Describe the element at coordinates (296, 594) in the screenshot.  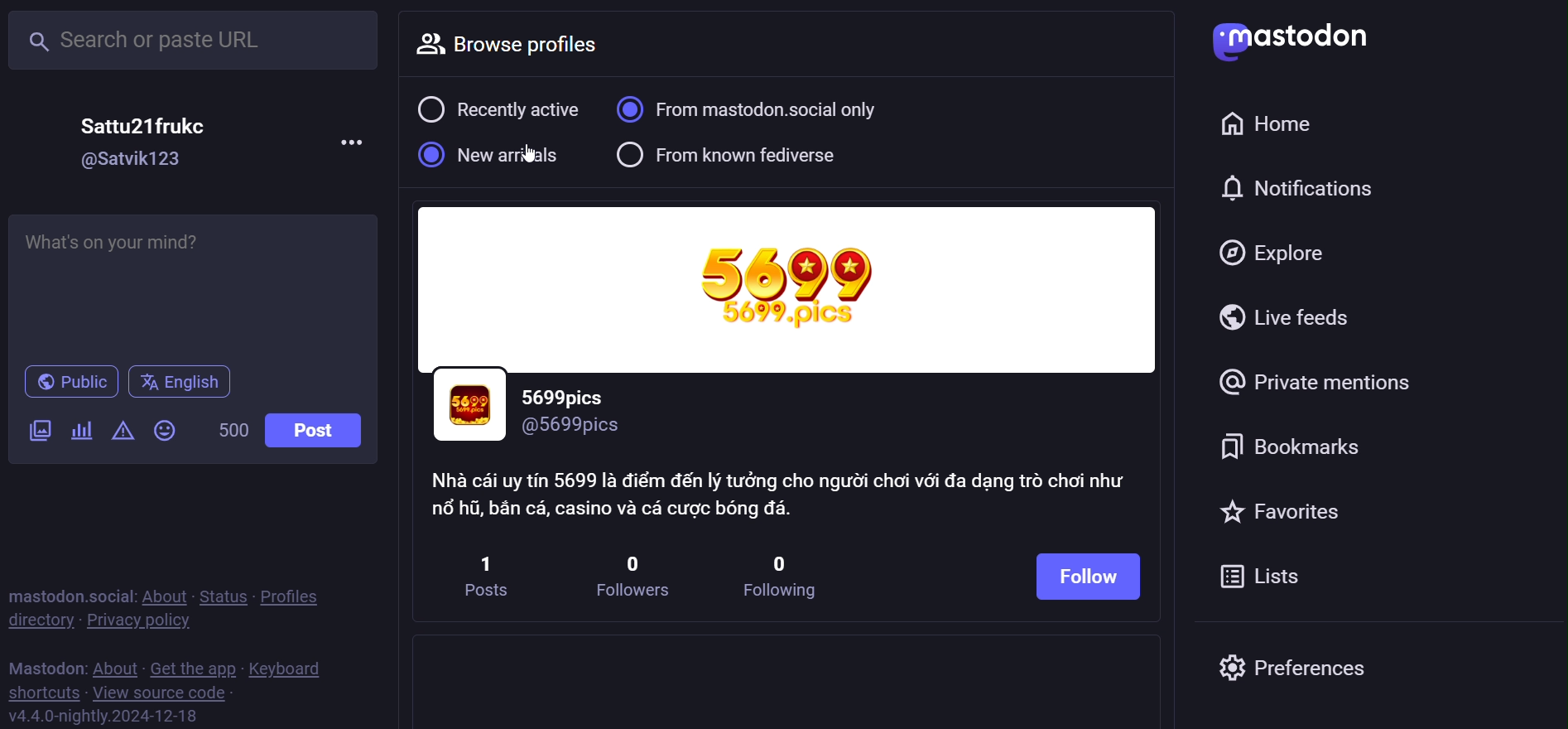
I see `profiles` at that location.